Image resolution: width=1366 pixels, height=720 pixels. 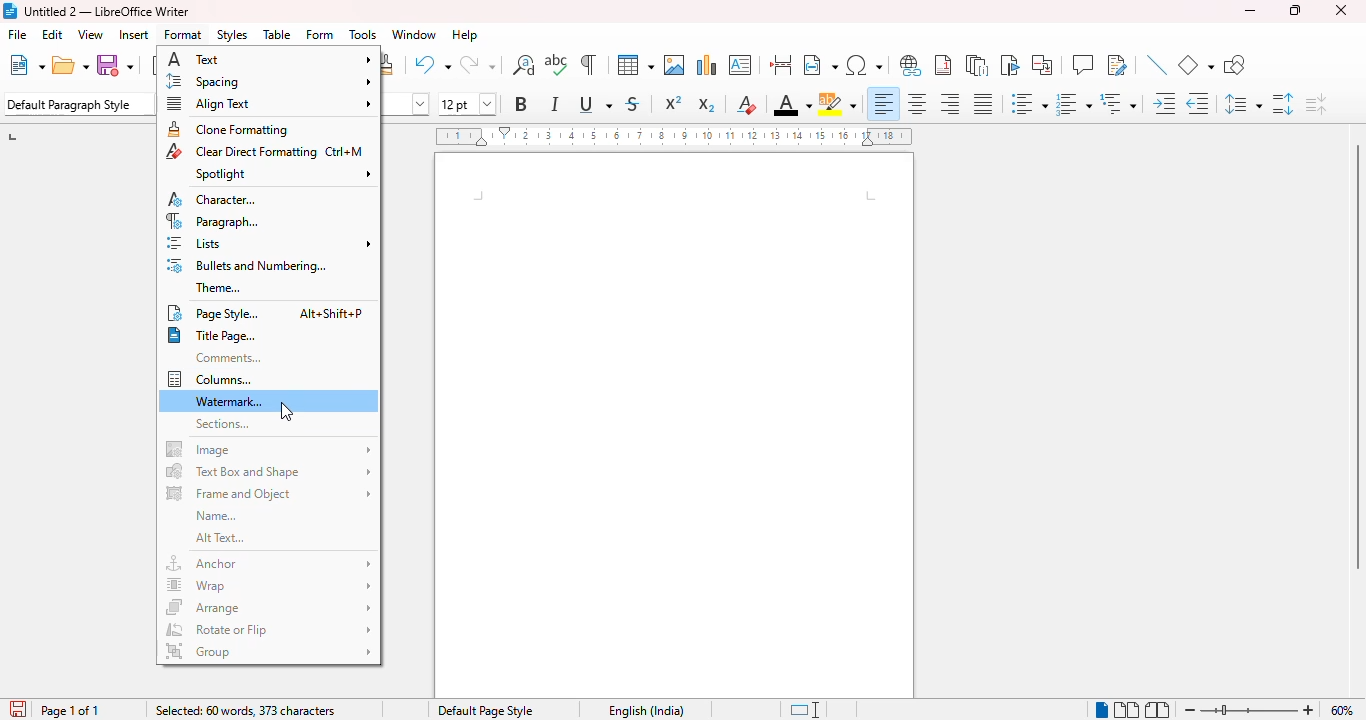 What do you see at coordinates (227, 129) in the screenshot?
I see `clone formatting` at bounding box center [227, 129].